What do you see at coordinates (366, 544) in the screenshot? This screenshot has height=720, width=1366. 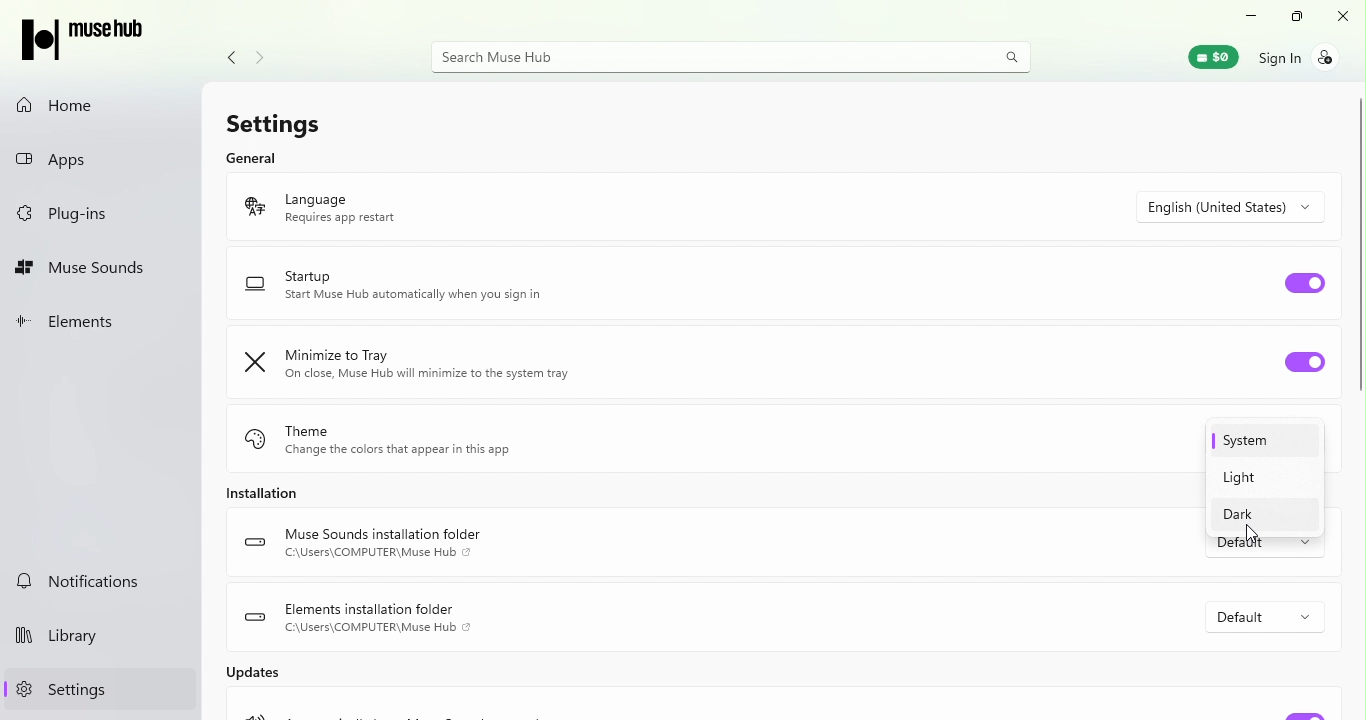 I see `Muse sounds installation folder` at bounding box center [366, 544].